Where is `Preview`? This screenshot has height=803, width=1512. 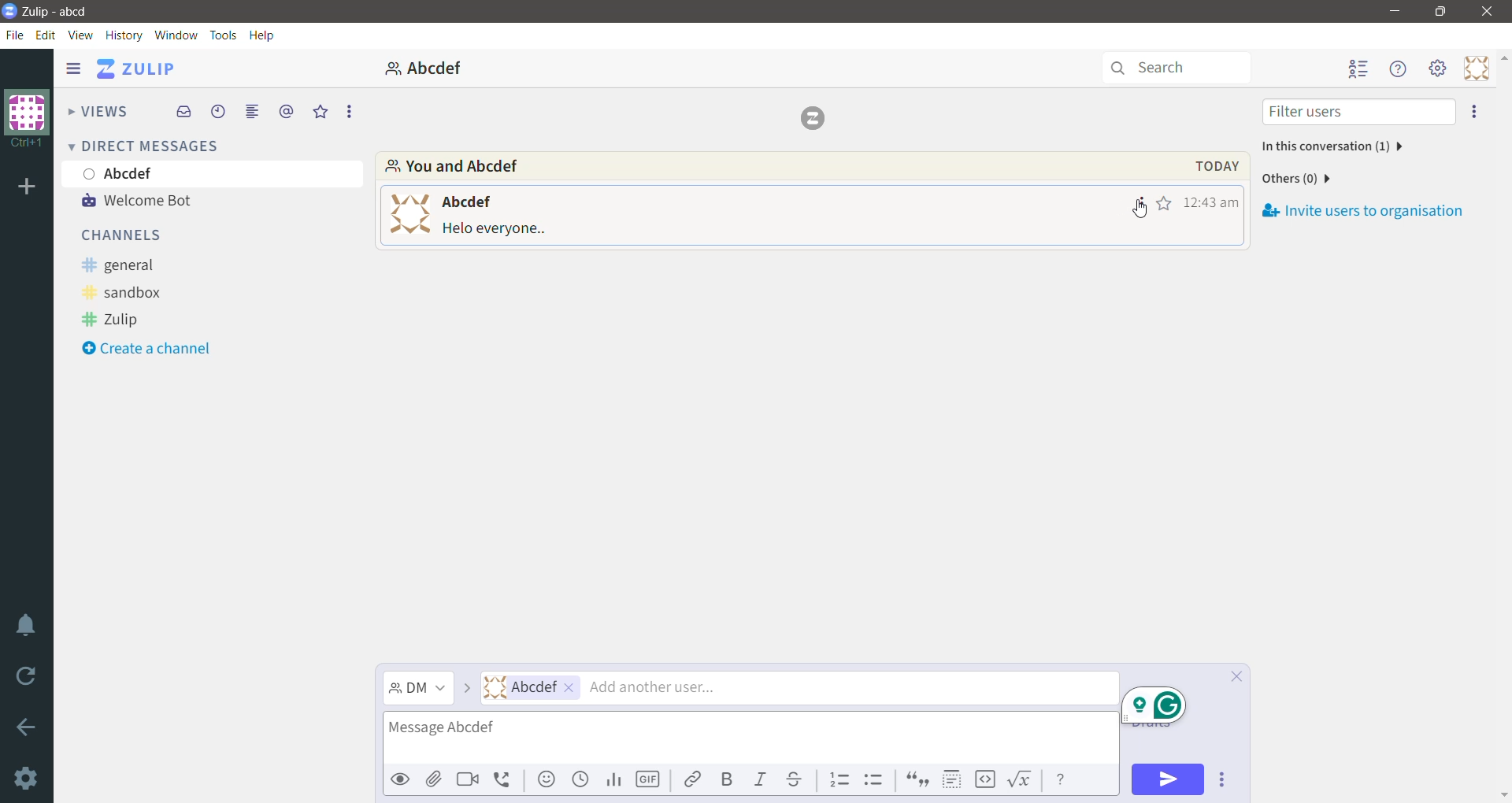
Preview is located at coordinates (400, 781).